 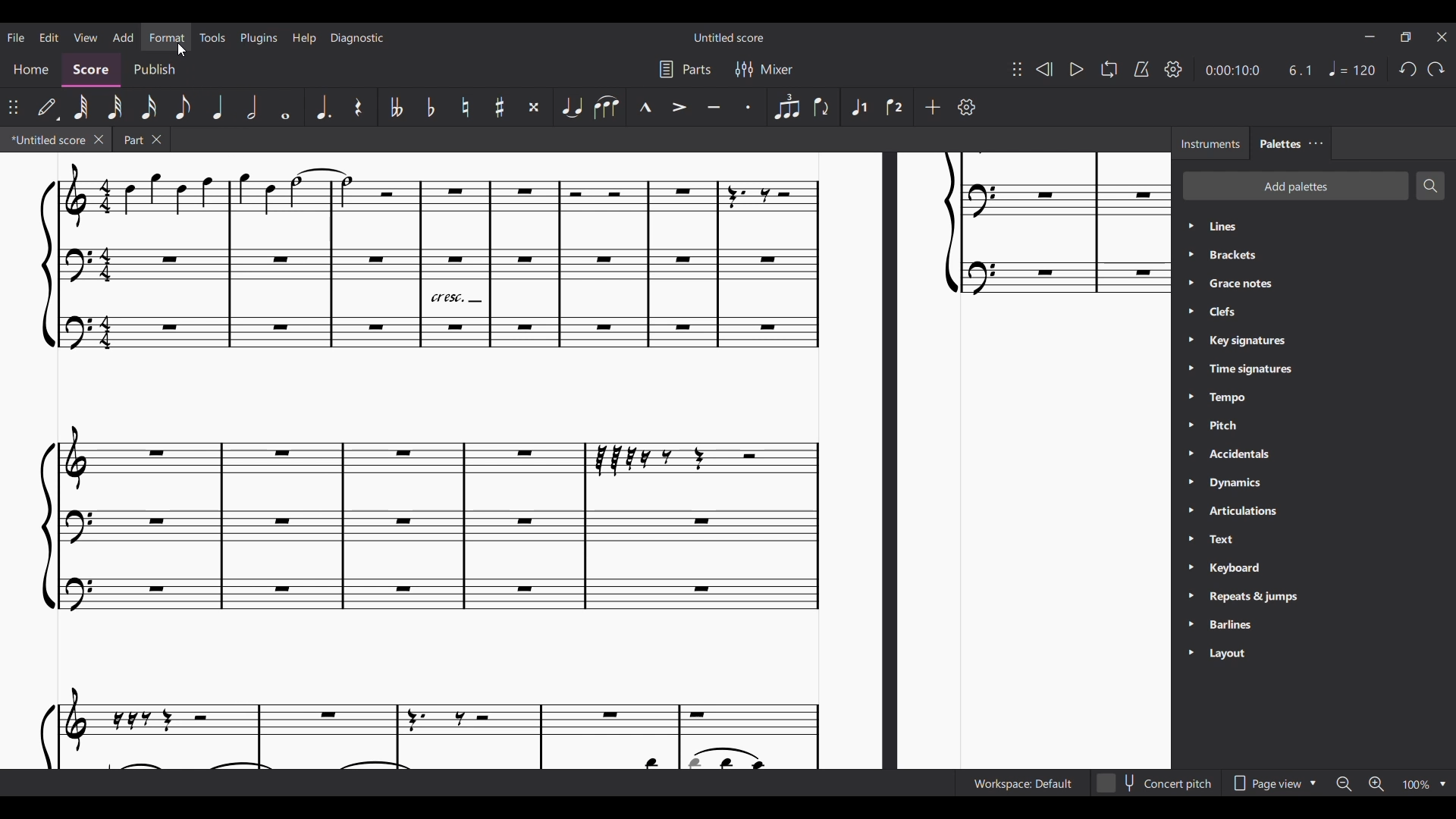 What do you see at coordinates (212, 37) in the screenshot?
I see `Tools menu` at bounding box center [212, 37].